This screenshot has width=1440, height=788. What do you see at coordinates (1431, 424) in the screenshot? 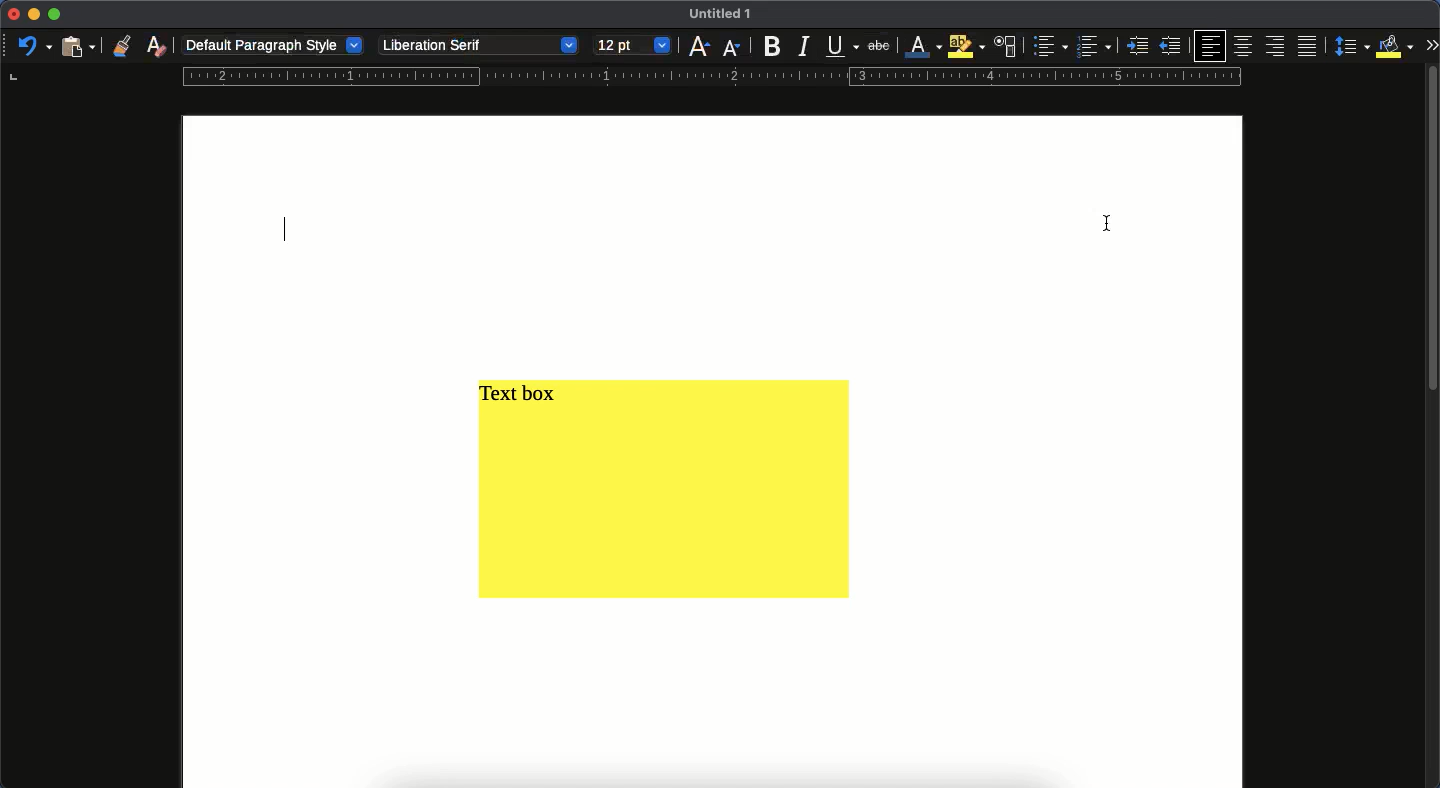
I see `scroll` at bounding box center [1431, 424].